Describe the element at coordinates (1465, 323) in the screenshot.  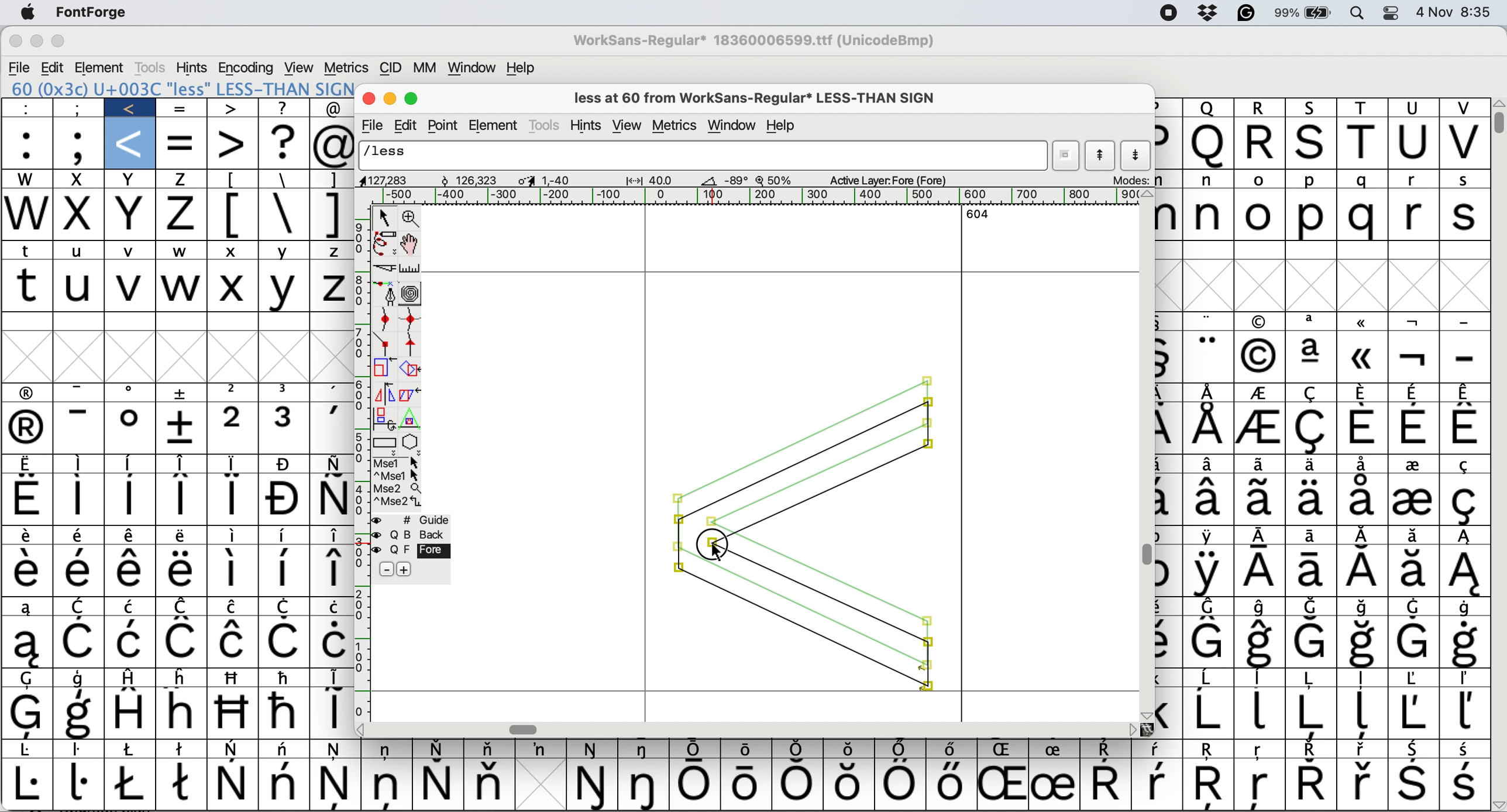
I see `-` at that location.